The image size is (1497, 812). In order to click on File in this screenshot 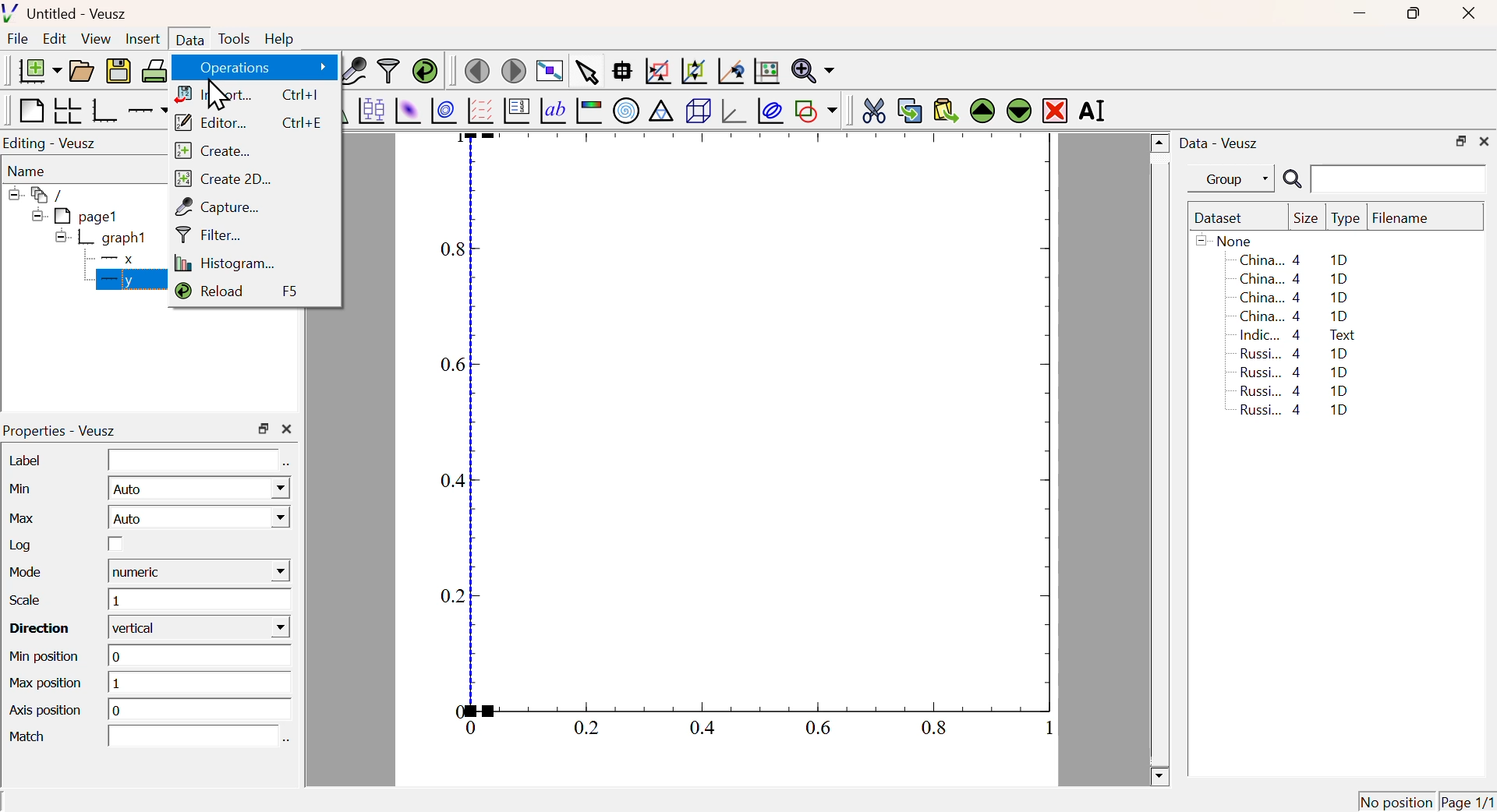, I will do `click(18, 39)`.